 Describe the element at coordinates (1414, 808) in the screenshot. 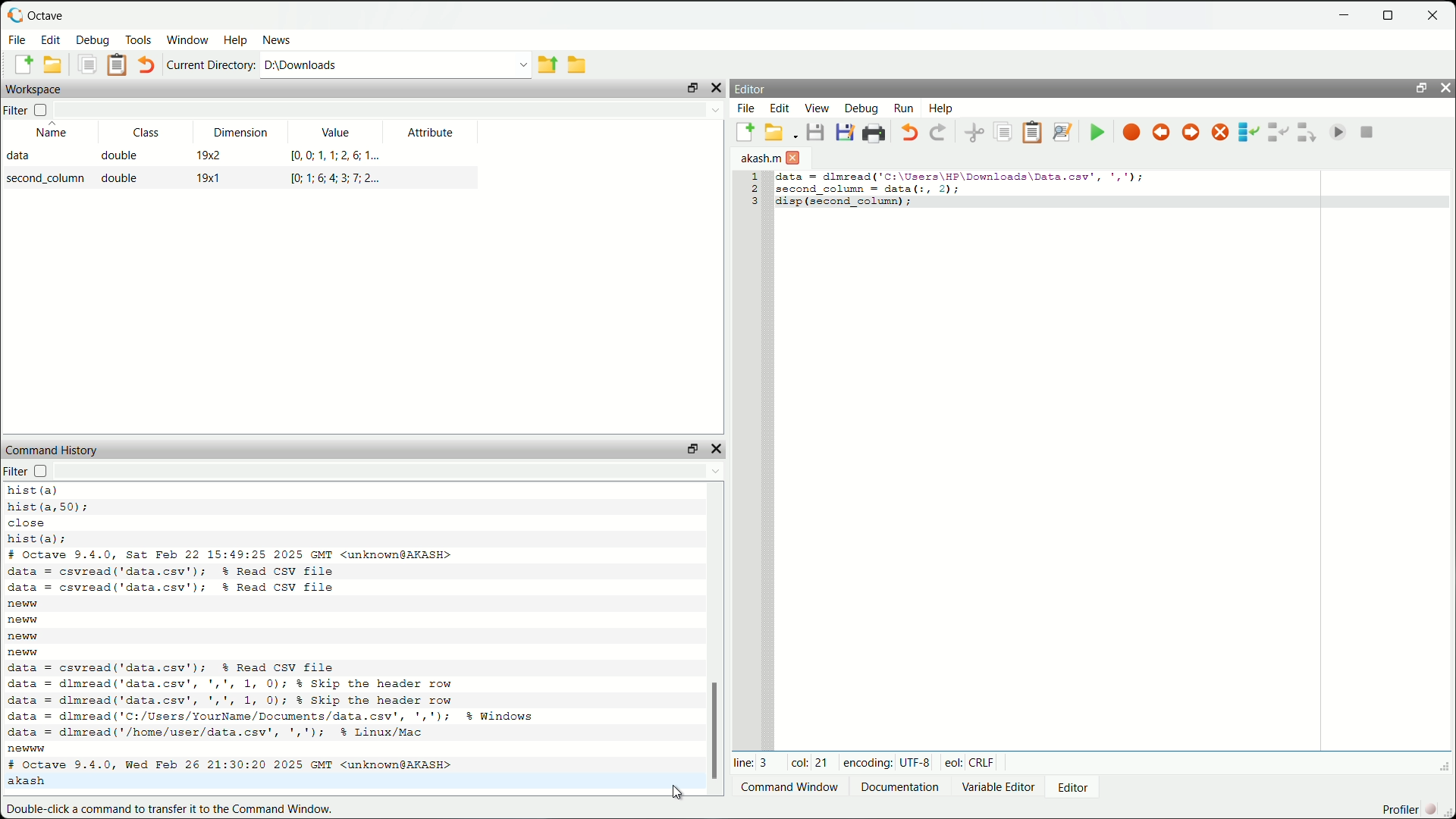

I see `profiler` at that location.